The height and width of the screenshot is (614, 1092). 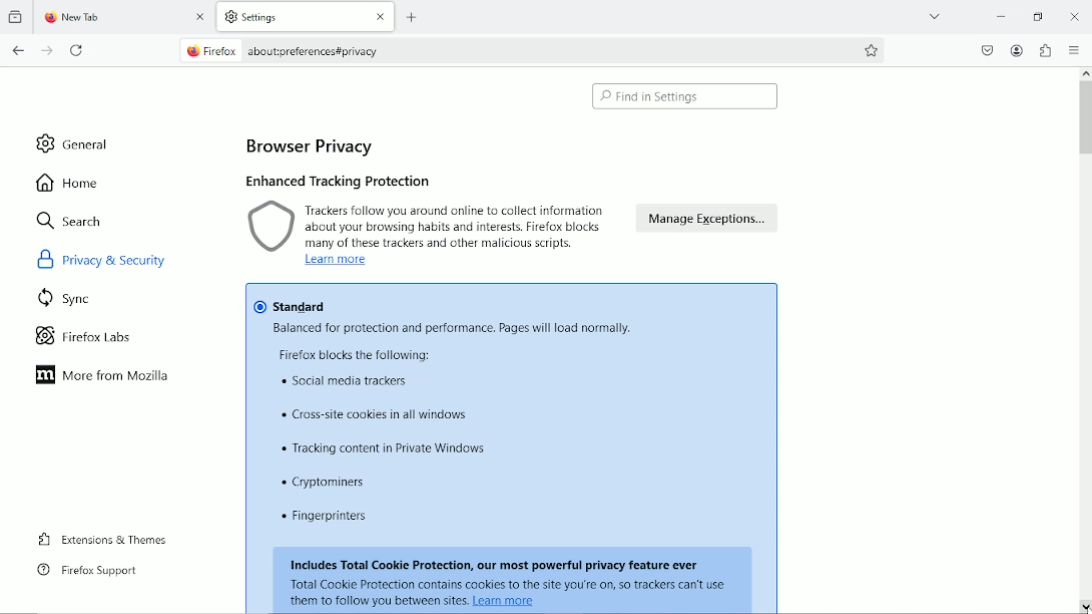 What do you see at coordinates (78, 51) in the screenshot?
I see `reload current tab` at bounding box center [78, 51].